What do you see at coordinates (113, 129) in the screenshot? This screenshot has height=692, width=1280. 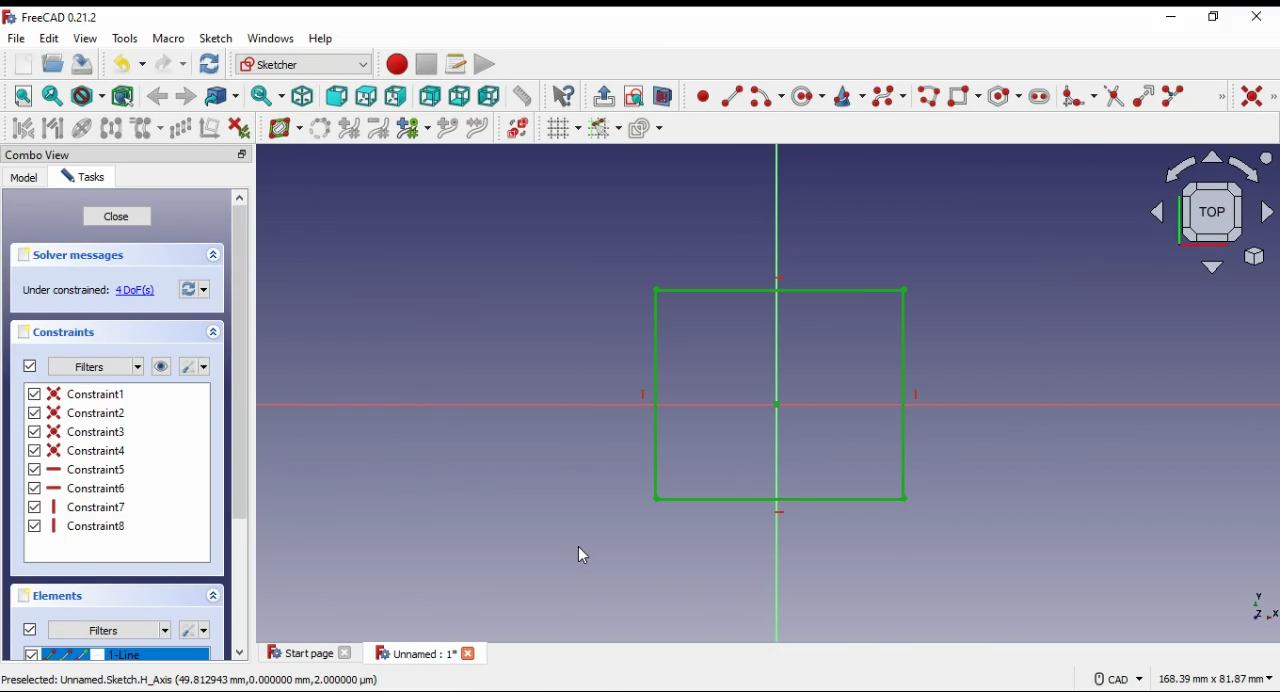 I see `symmetry` at bounding box center [113, 129].